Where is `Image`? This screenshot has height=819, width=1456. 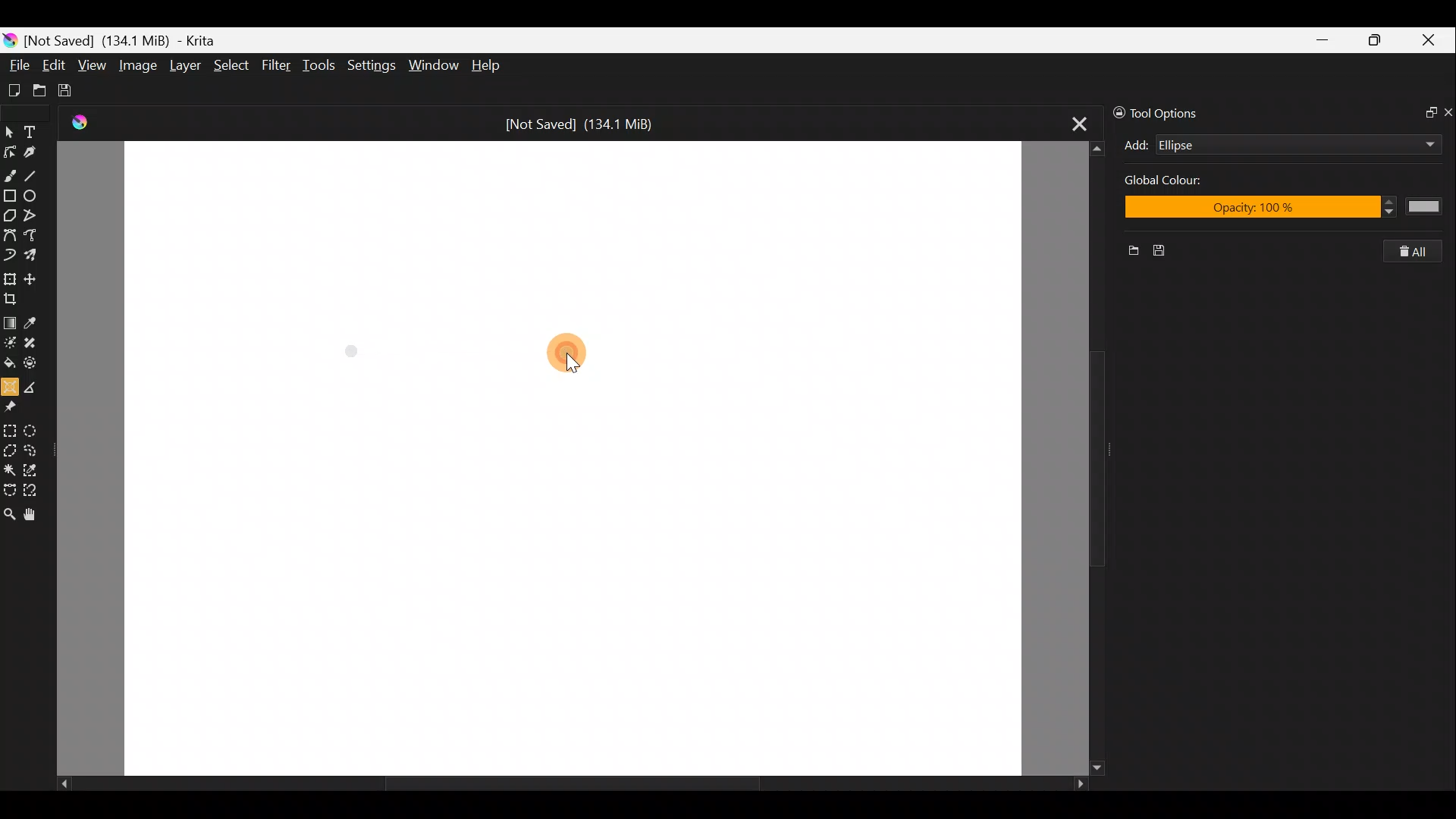
Image is located at coordinates (140, 64).